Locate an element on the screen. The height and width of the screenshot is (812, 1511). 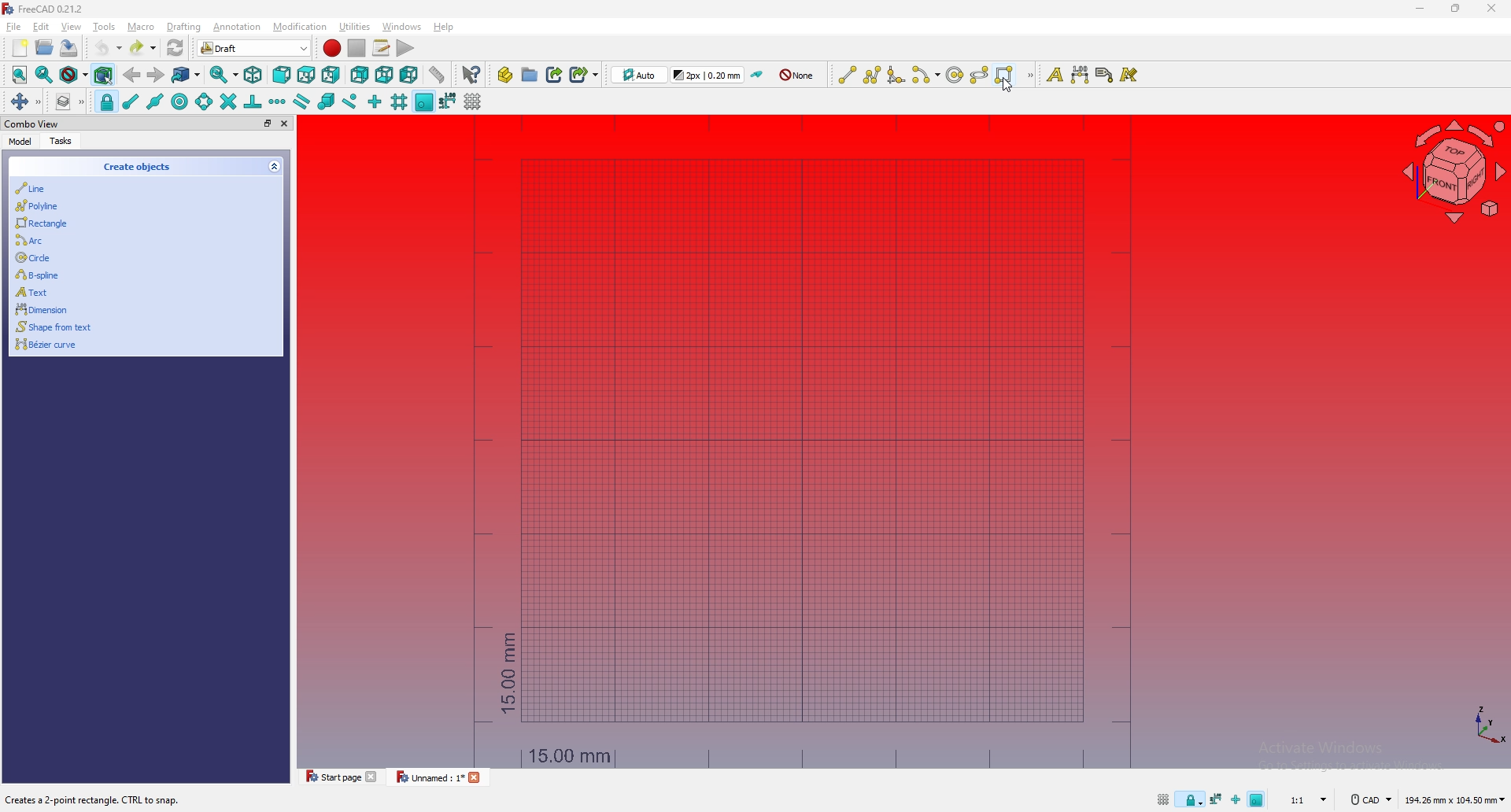
snap near is located at coordinates (350, 102).